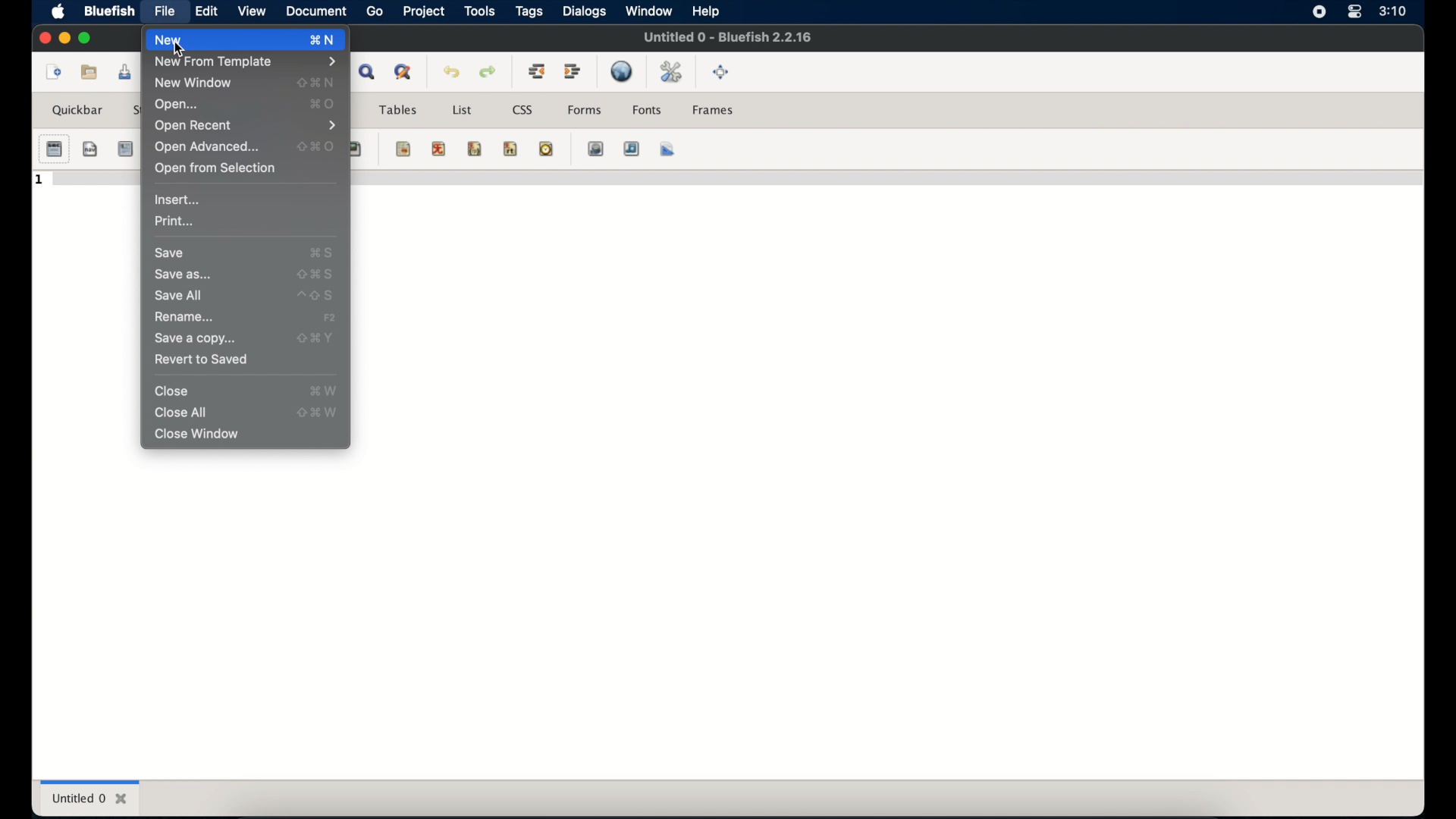 Image resolution: width=1456 pixels, height=819 pixels. I want to click on tables, so click(398, 110).